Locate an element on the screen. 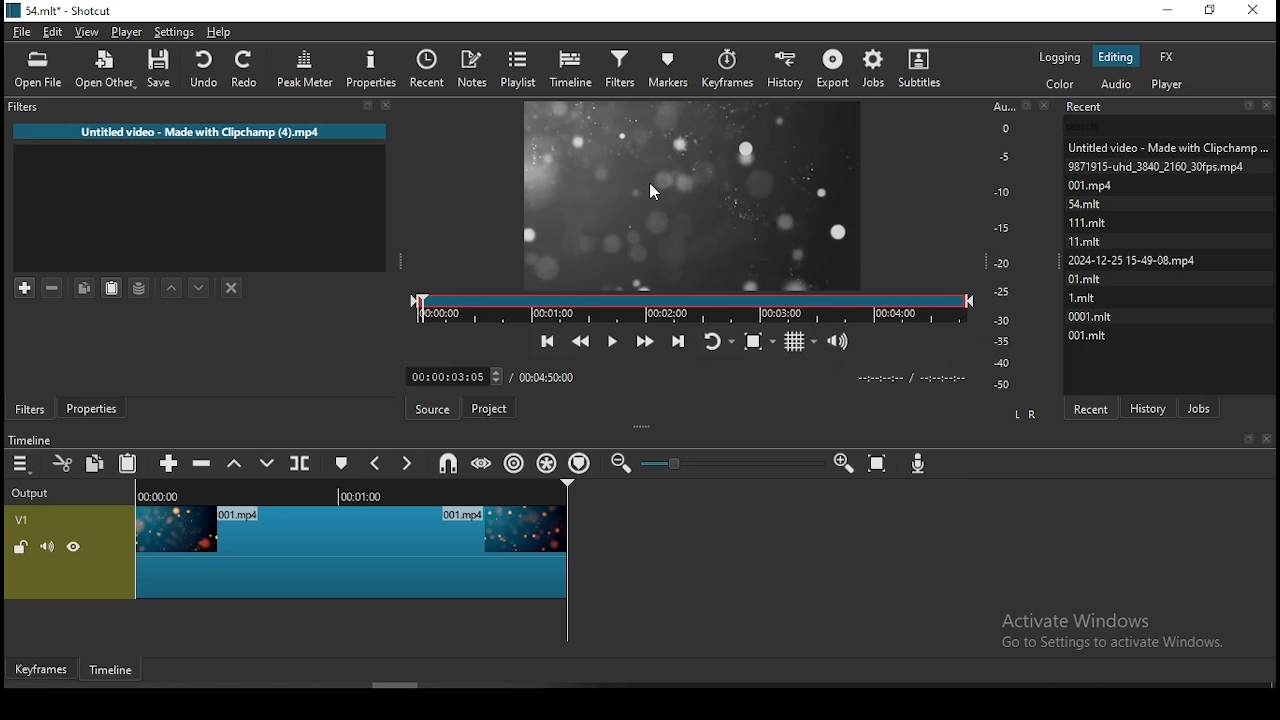 The image size is (1280, 720). skip to the next point is located at coordinates (676, 339).